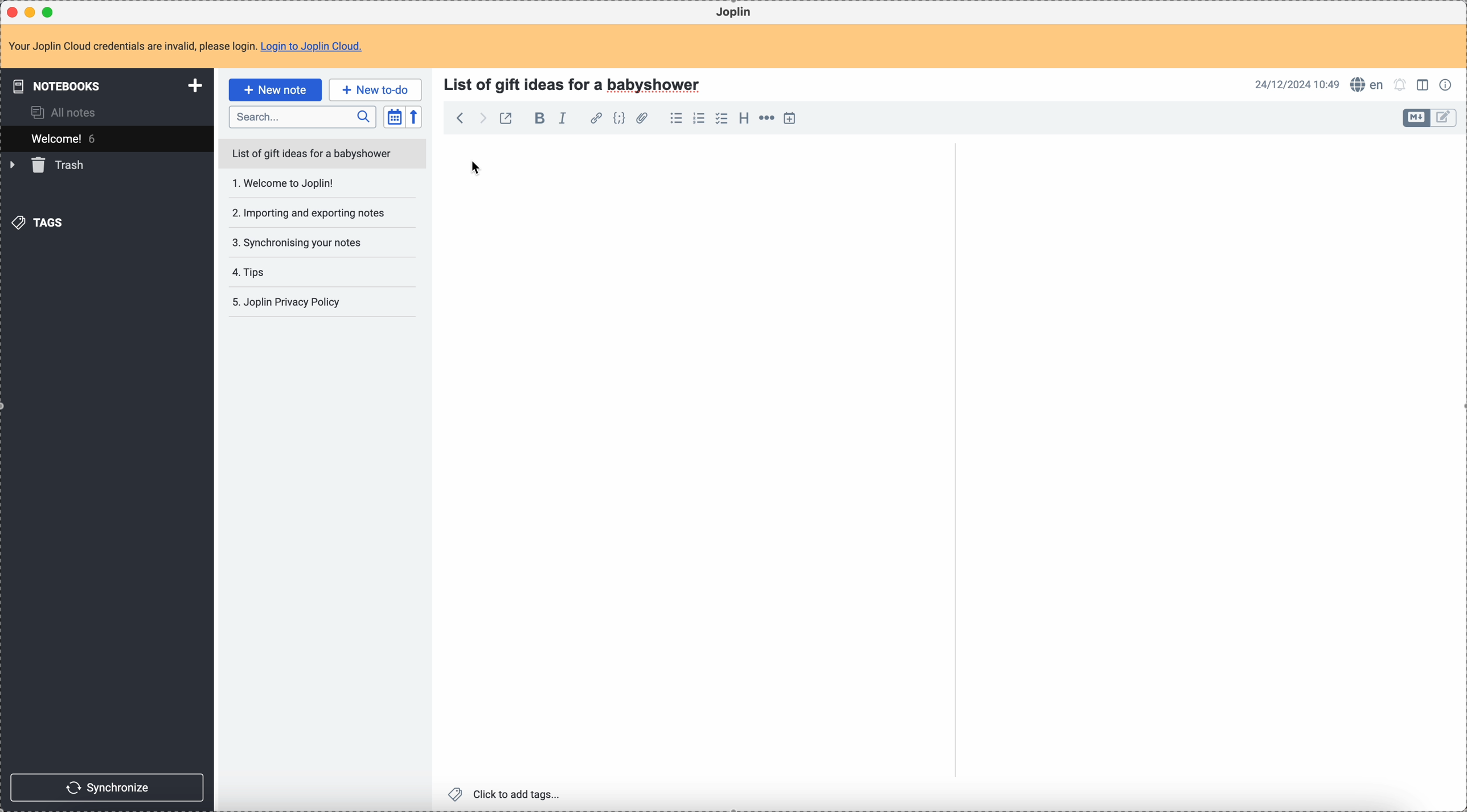 This screenshot has width=1467, height=812. Describe the element at coordinates (106, 138) in the screenshot. I see `welcome` at that location.